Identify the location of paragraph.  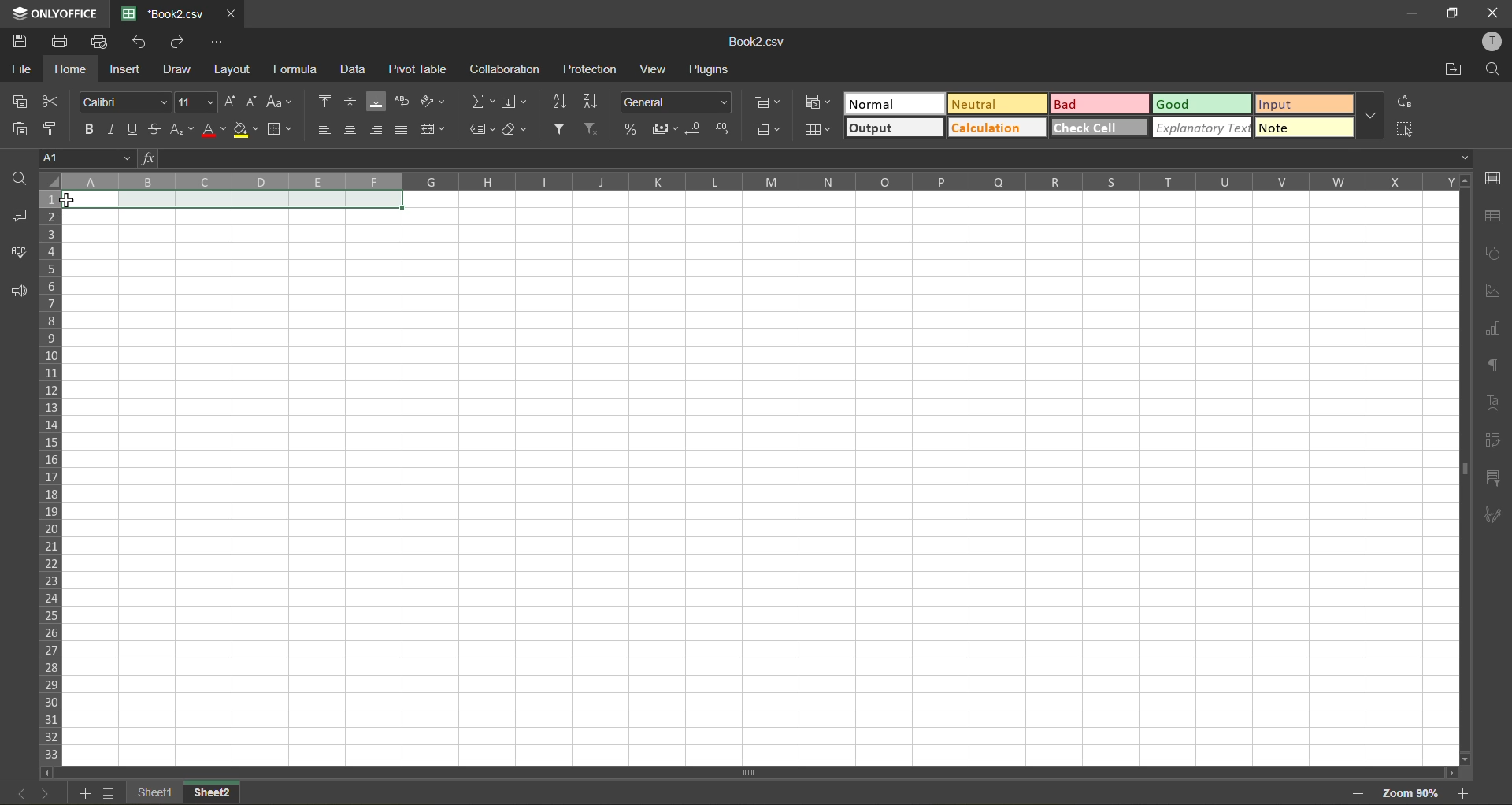
(1495, 369).